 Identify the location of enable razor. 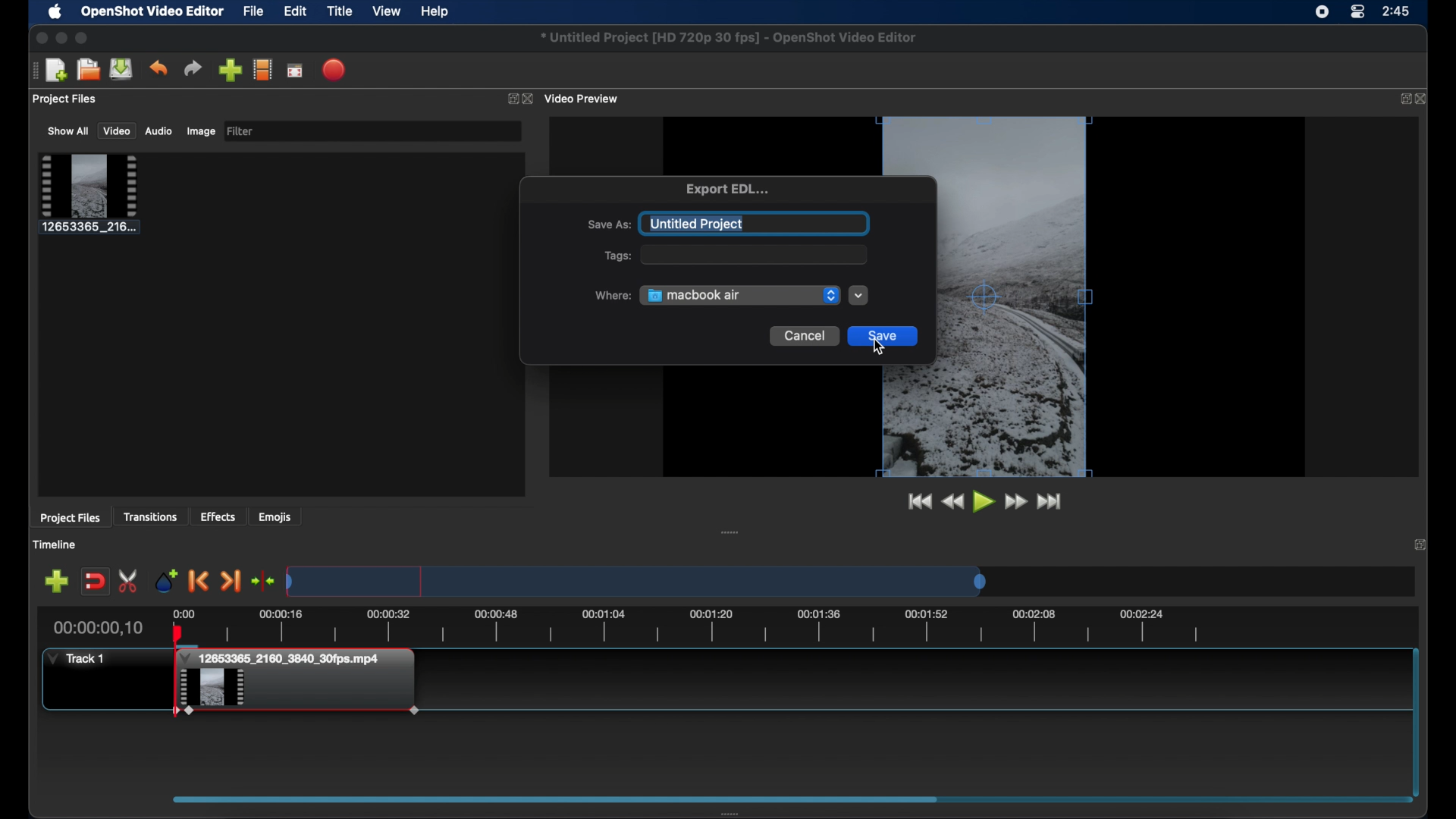
(130, 580).